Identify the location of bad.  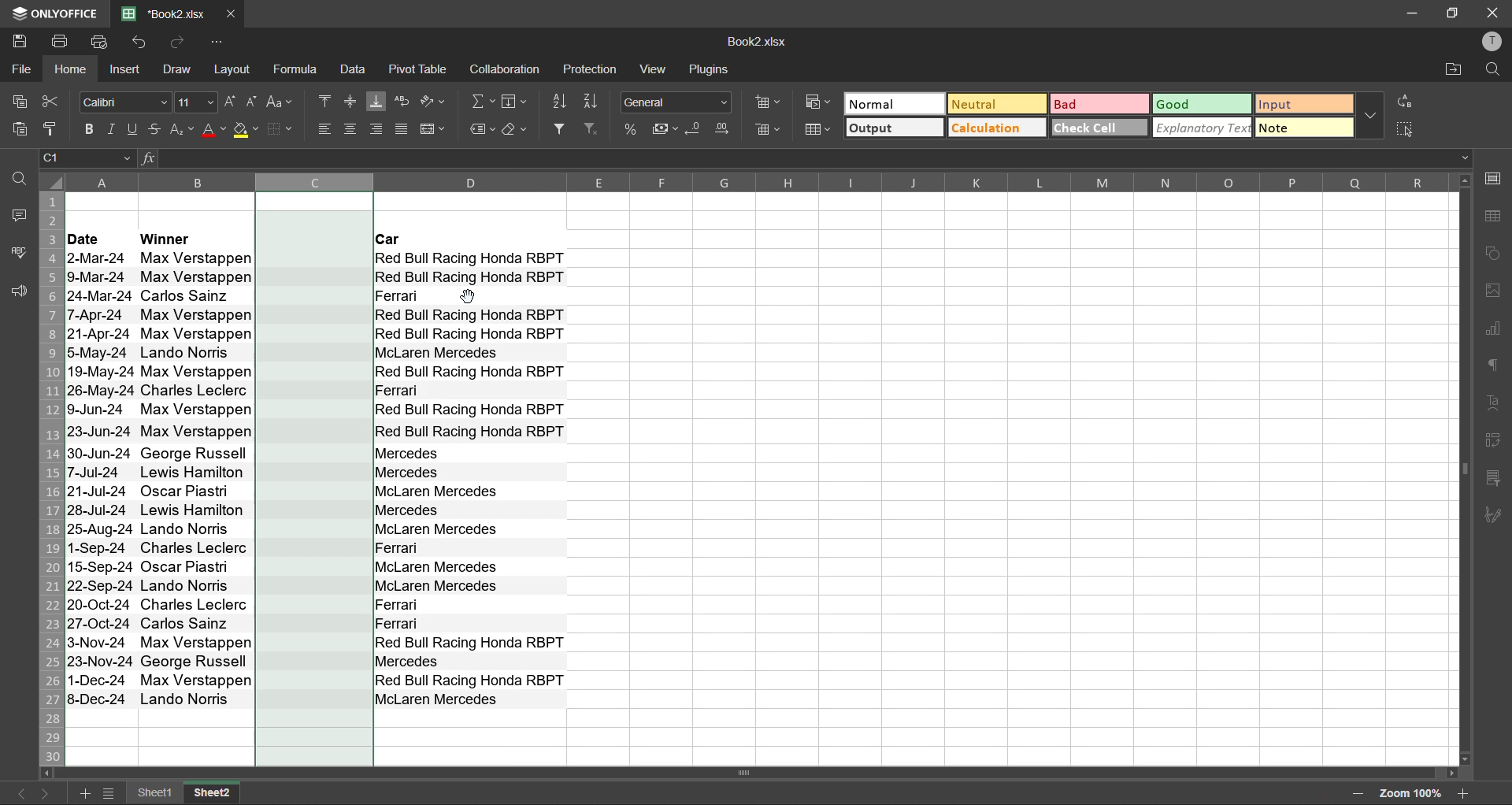
(1099, 106).